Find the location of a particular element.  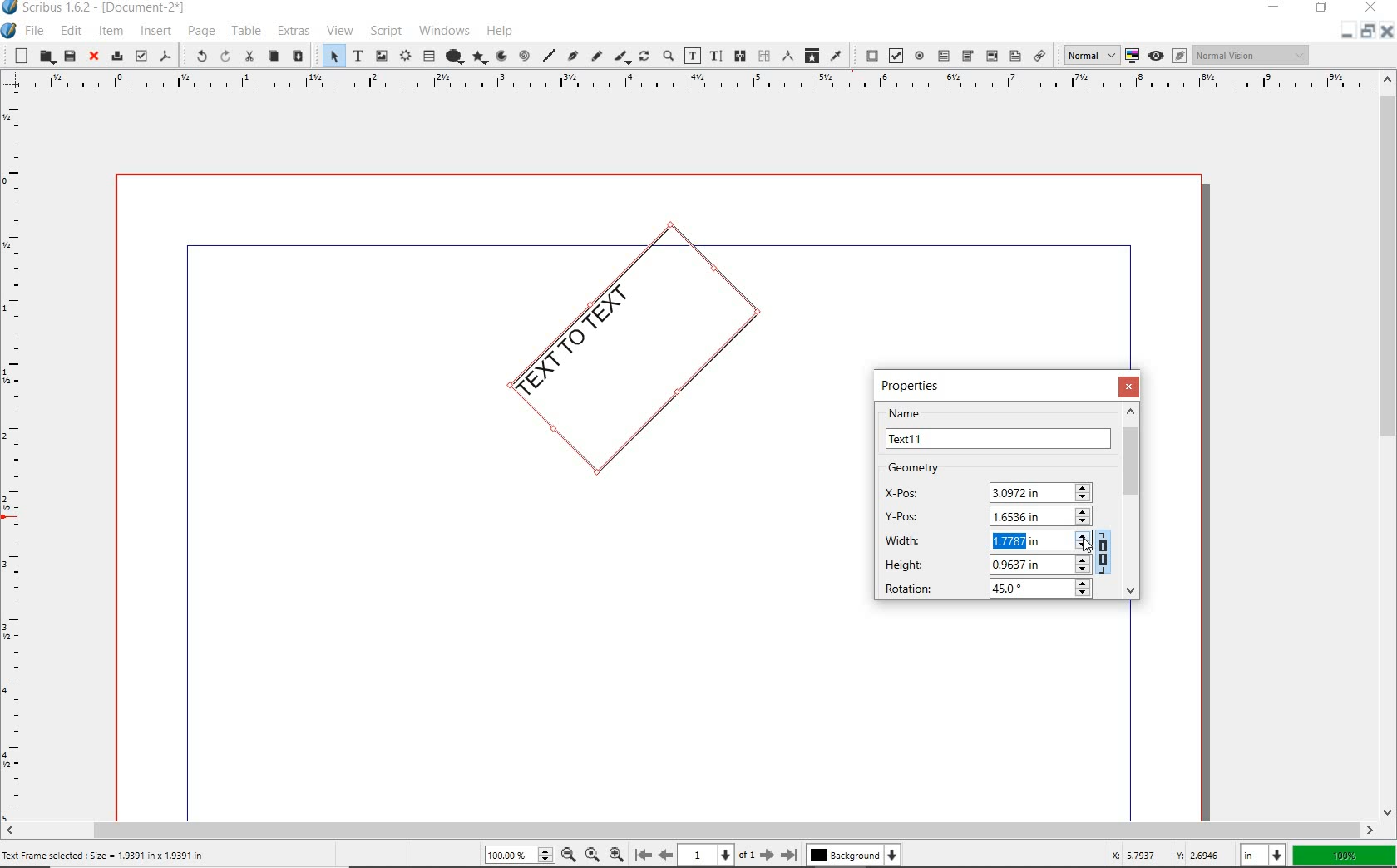

close is located at coordinates (94, 57).